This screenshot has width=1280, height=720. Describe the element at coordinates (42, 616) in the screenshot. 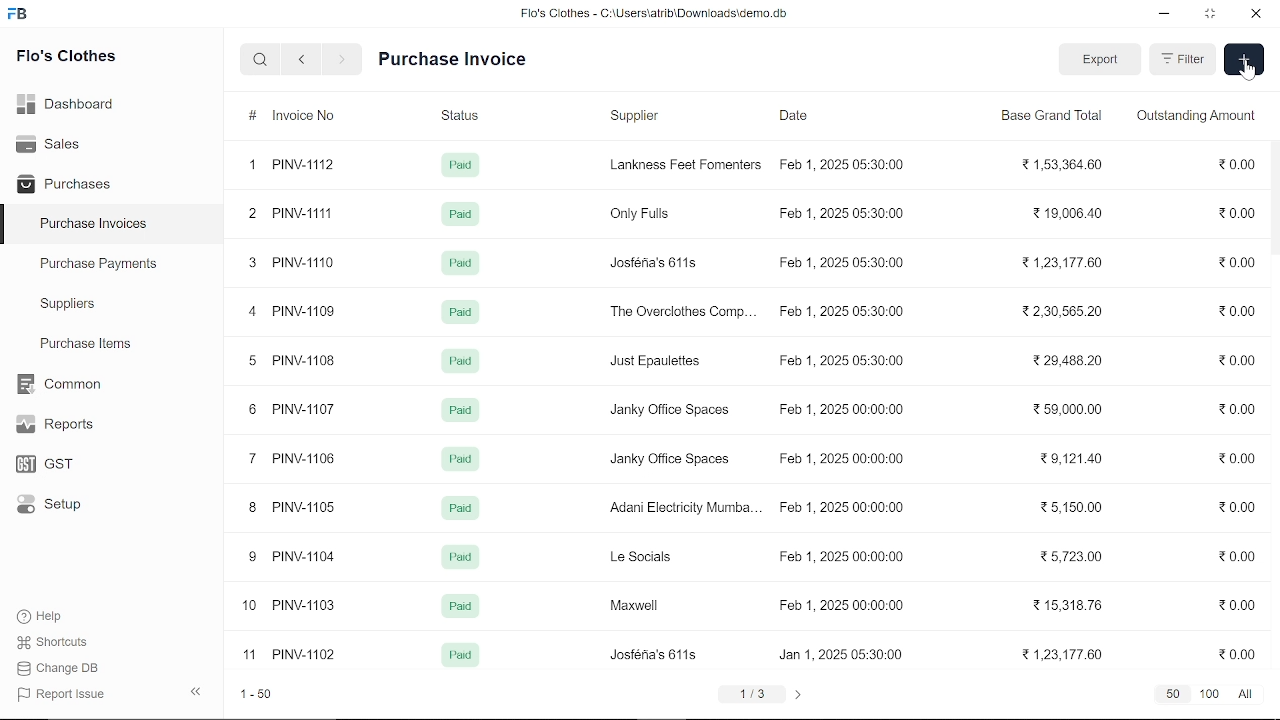

I see `Help` at that location.